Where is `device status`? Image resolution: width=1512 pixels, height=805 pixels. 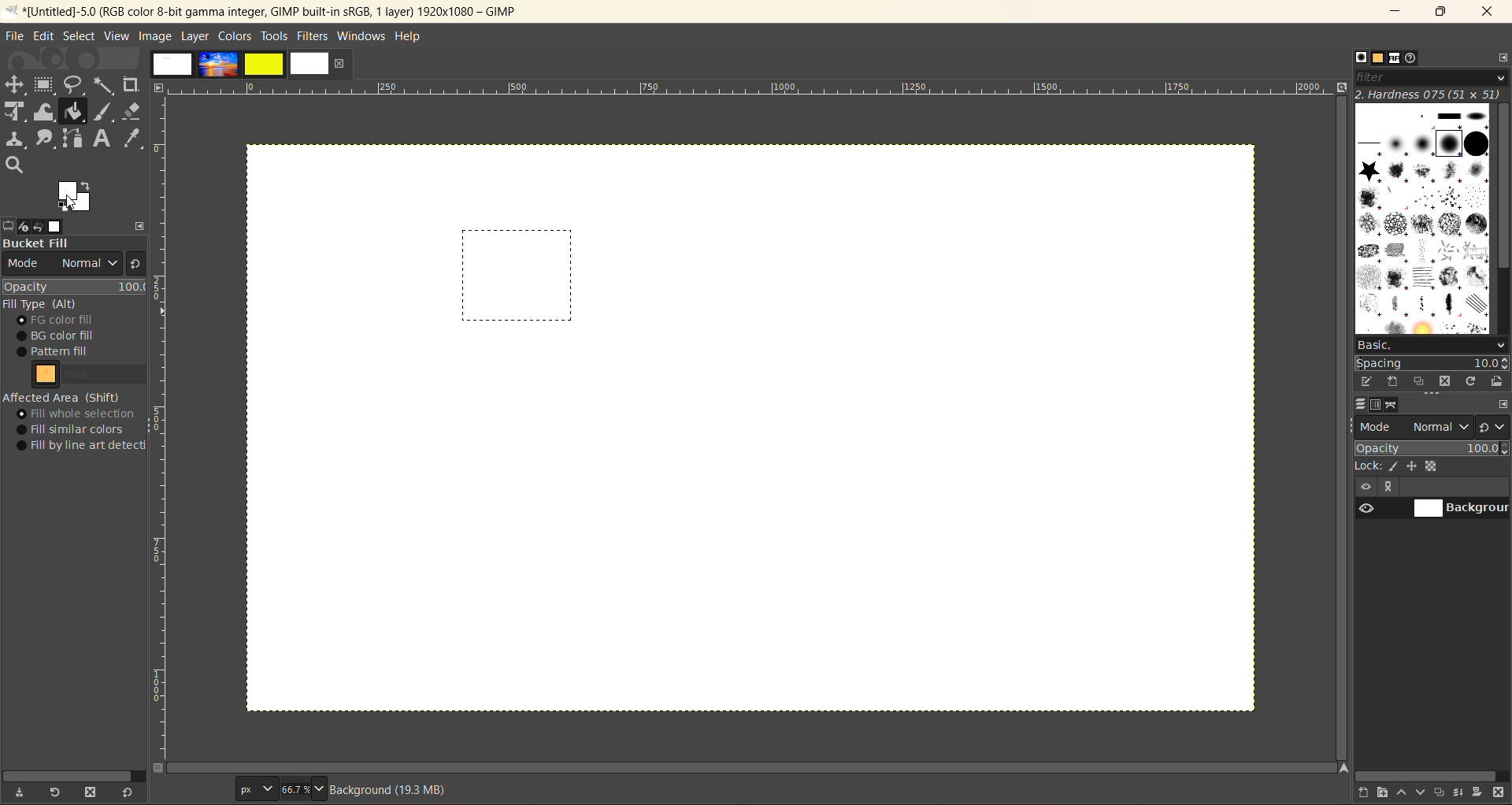
device status is located at coordinates (19, 227).